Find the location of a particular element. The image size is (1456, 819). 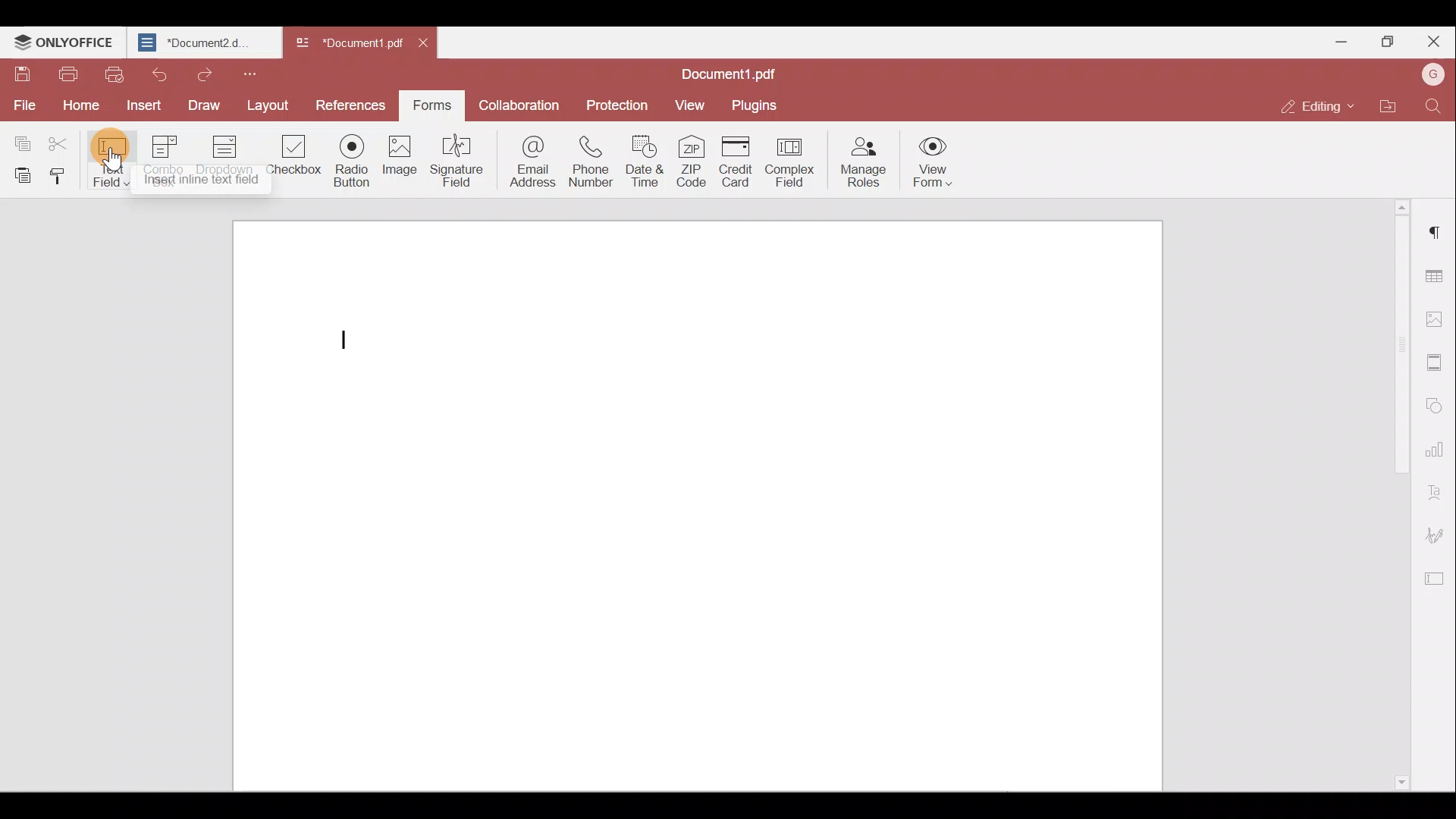

Insert is located at coordinates (142, 104).